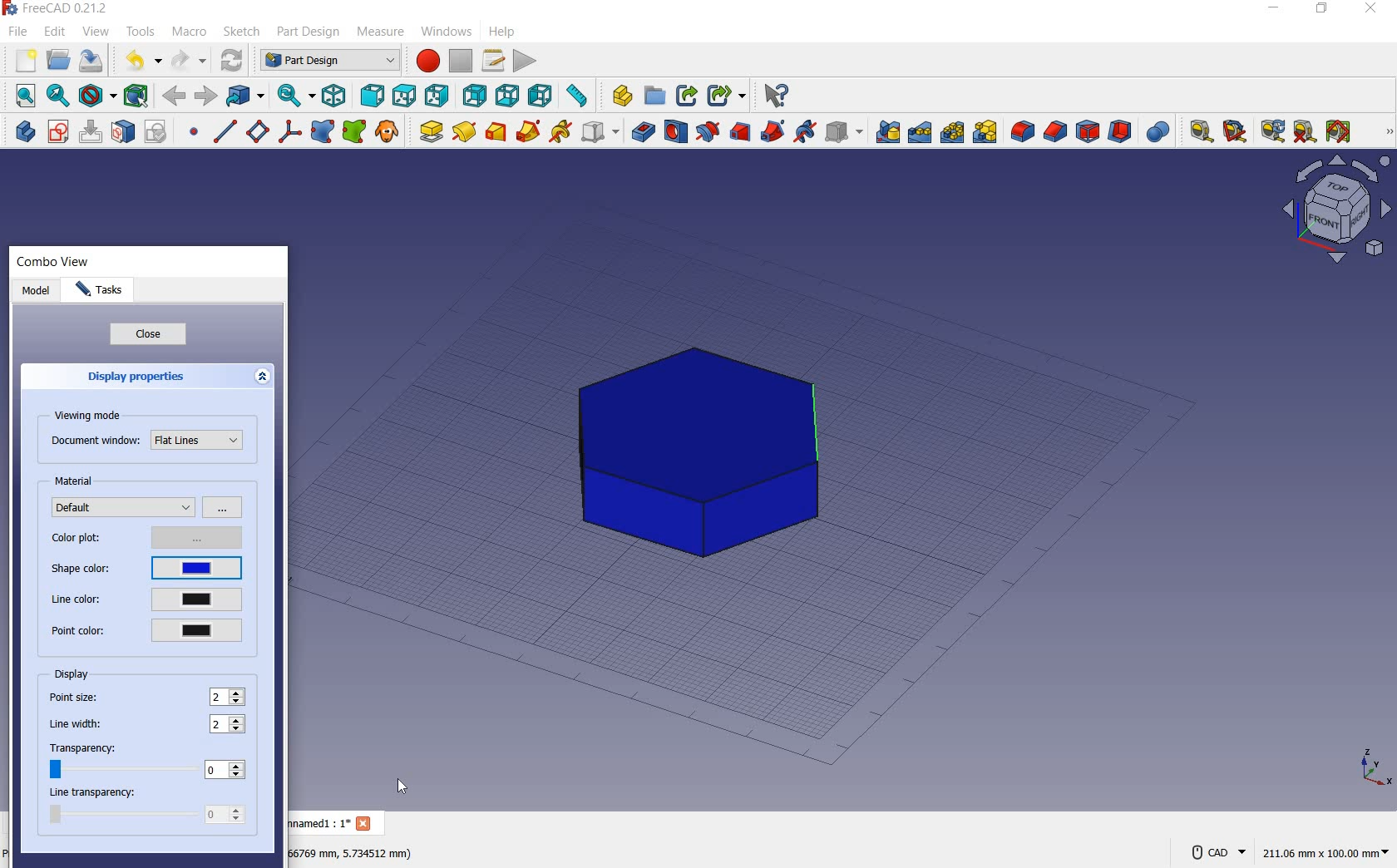 The height and width of the screenshot is (868, 1397). What do you see at coordinates (197, 629) in the screenshot?
I see `current point color` at bounding box center [197, 629].